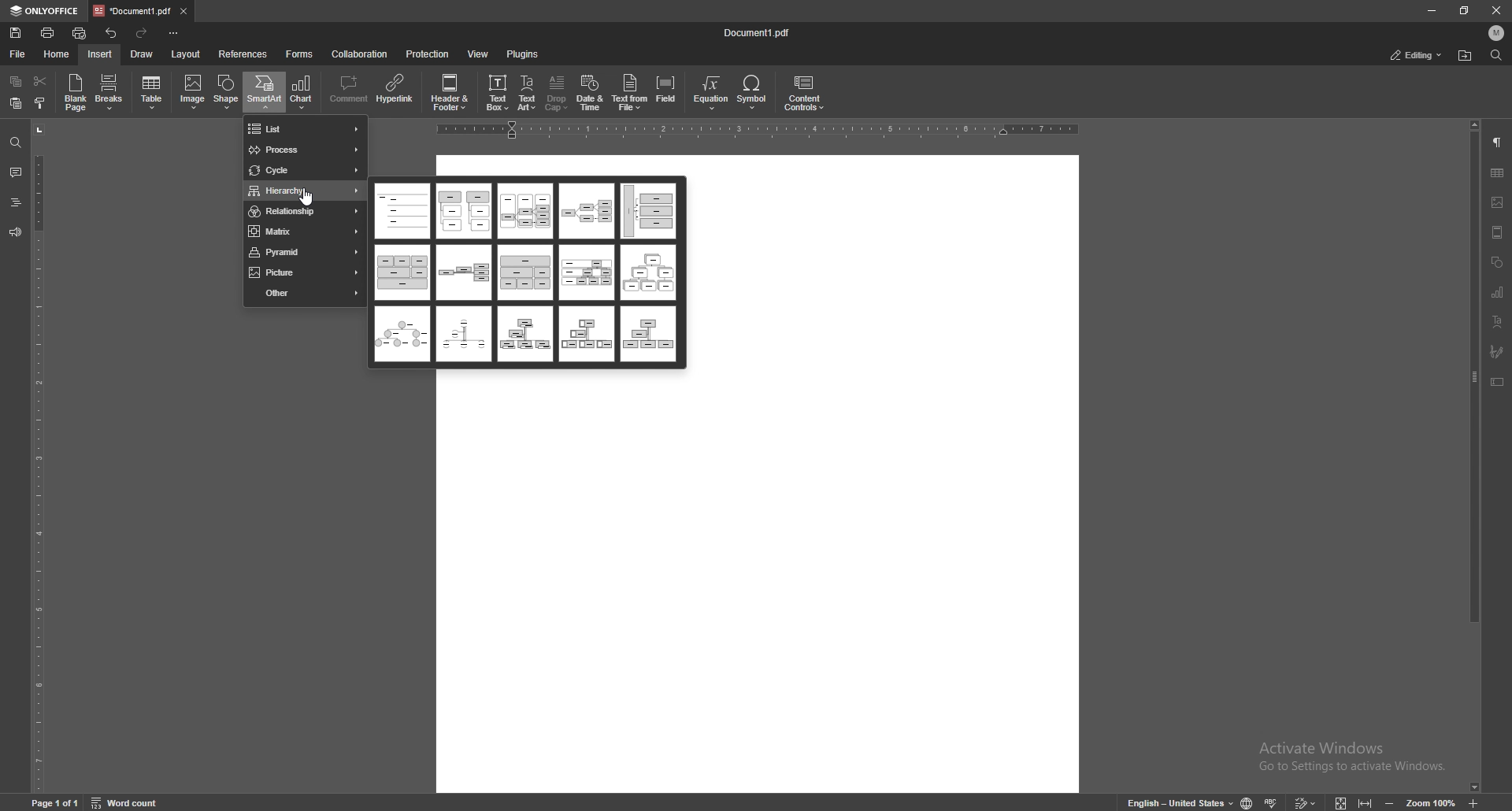 This screenshot has width=1512, height=811. I want to click on hierarchy smart art, so click(401, 272).